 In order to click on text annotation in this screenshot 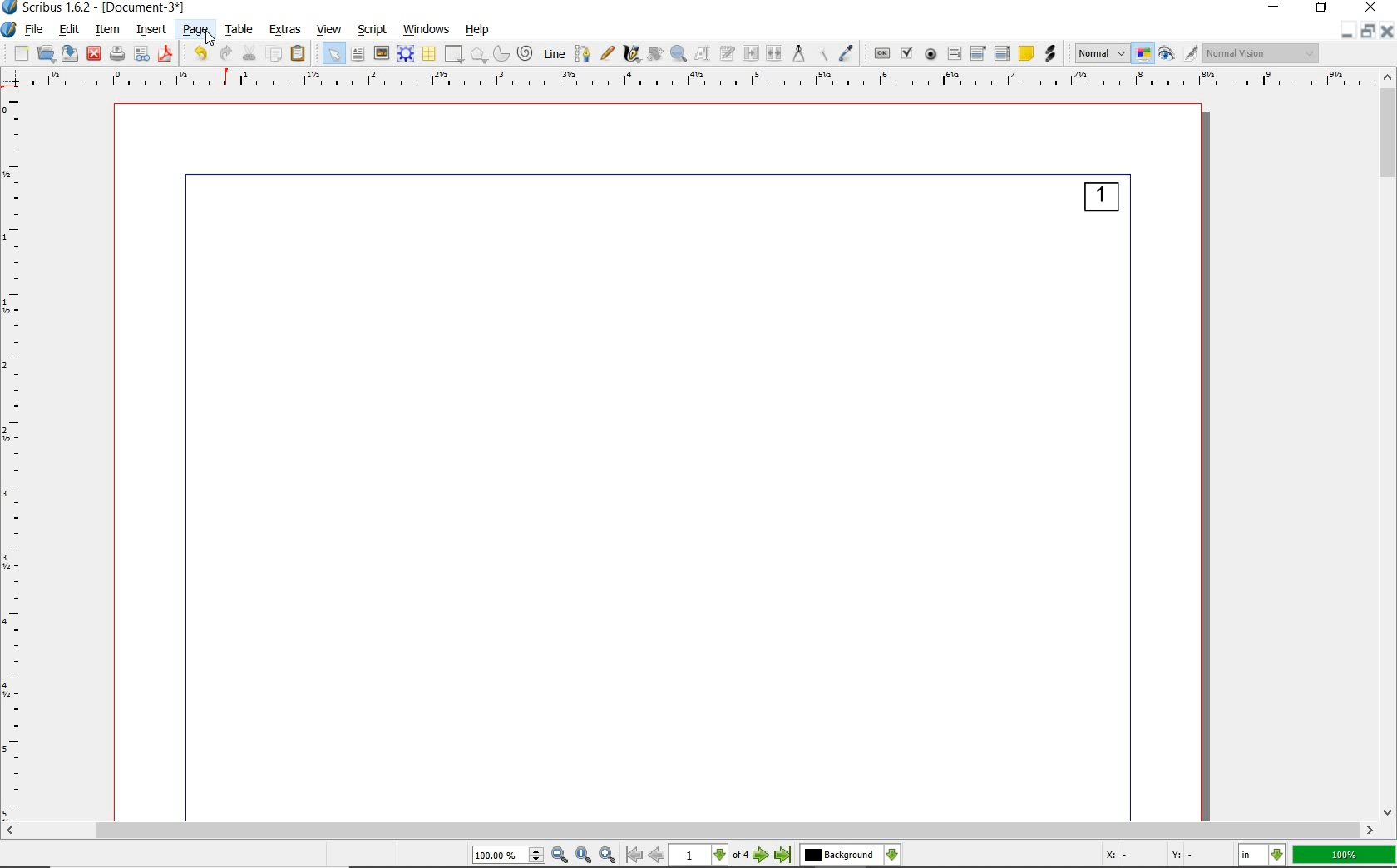, I will do `click(1027, 53)`.